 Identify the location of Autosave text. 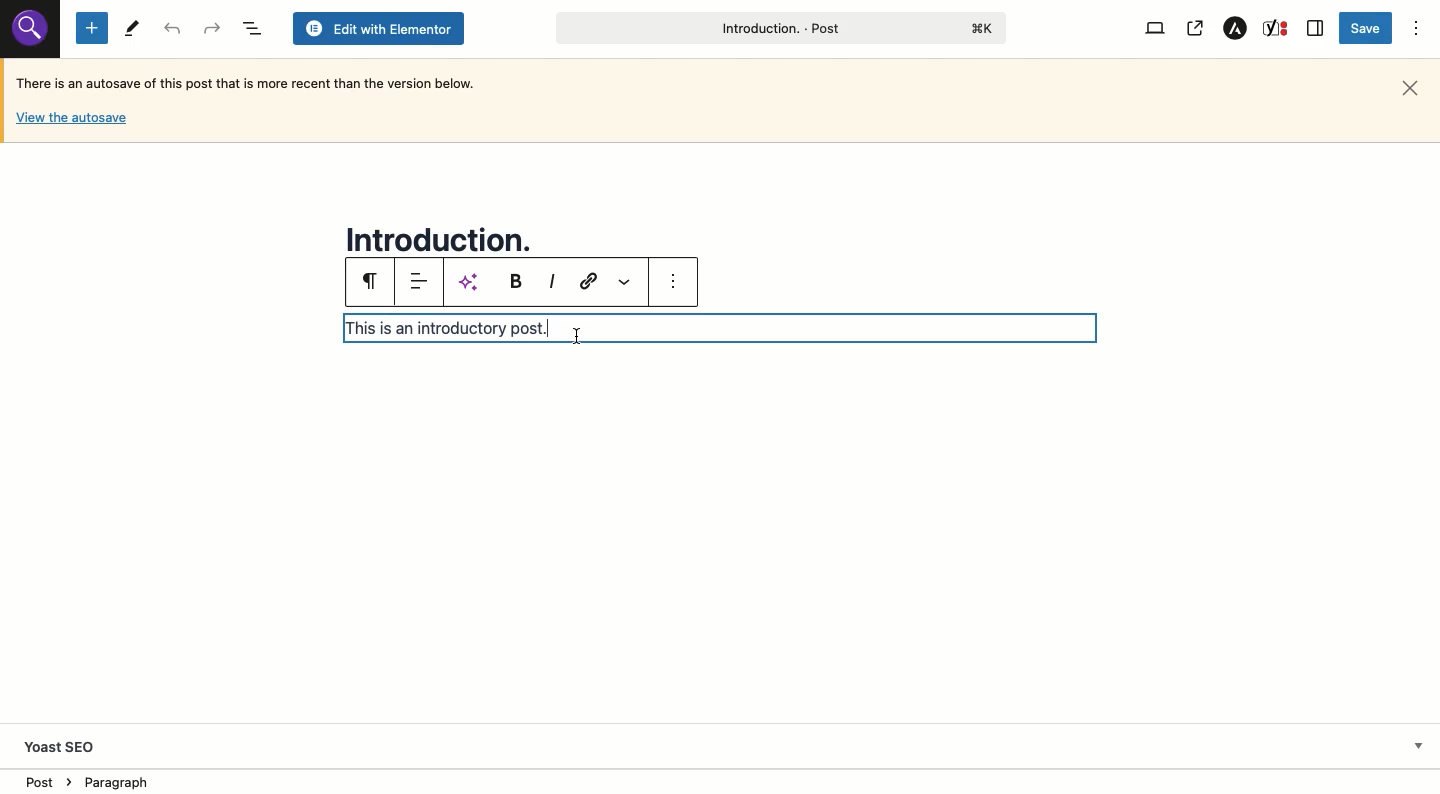
(252, 82).